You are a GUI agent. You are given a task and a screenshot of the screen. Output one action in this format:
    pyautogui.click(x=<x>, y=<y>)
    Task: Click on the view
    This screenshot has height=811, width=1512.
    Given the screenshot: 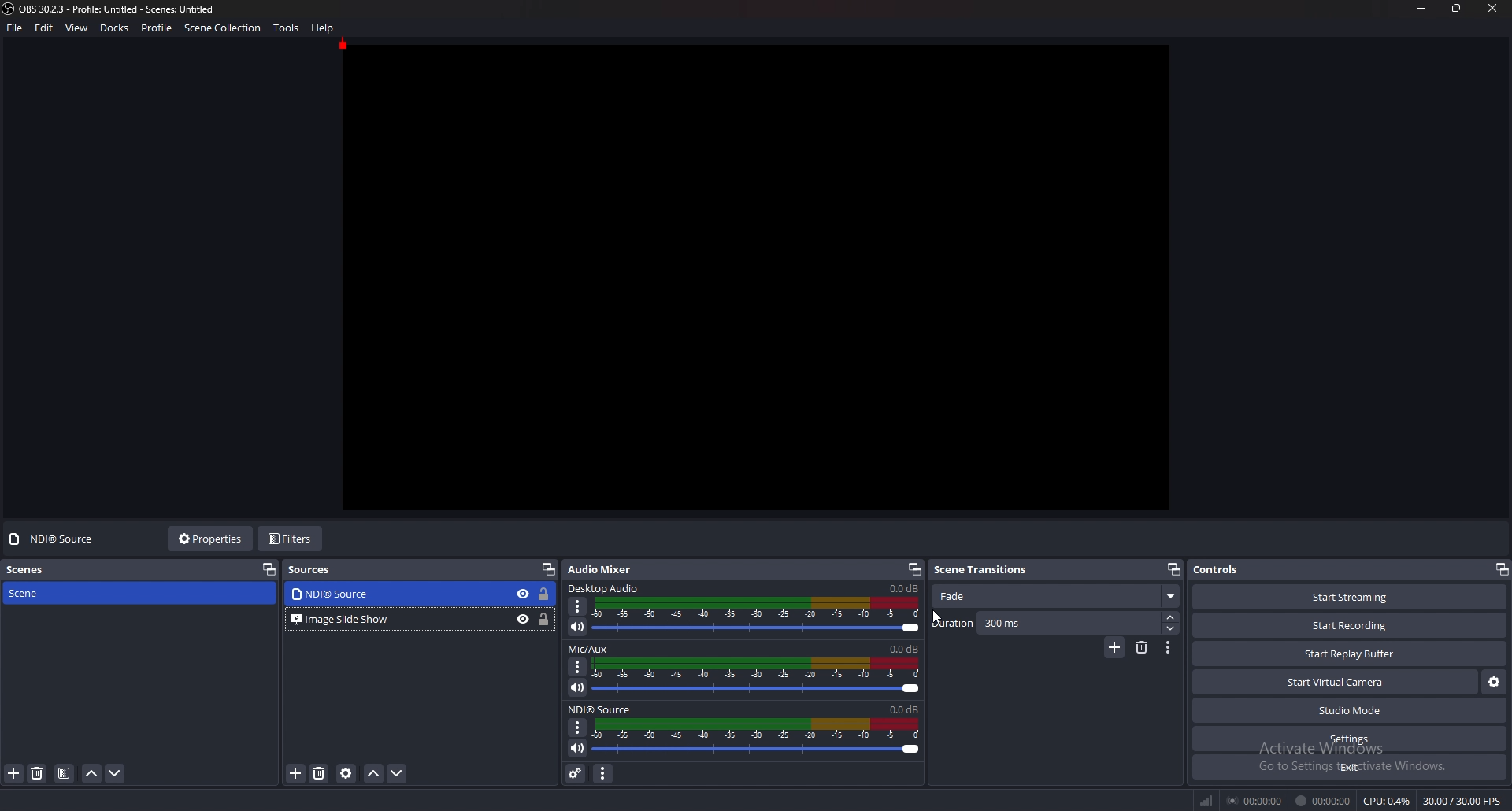 What is the action you would take?
    pyautogui.click(x=78, y=28)
    